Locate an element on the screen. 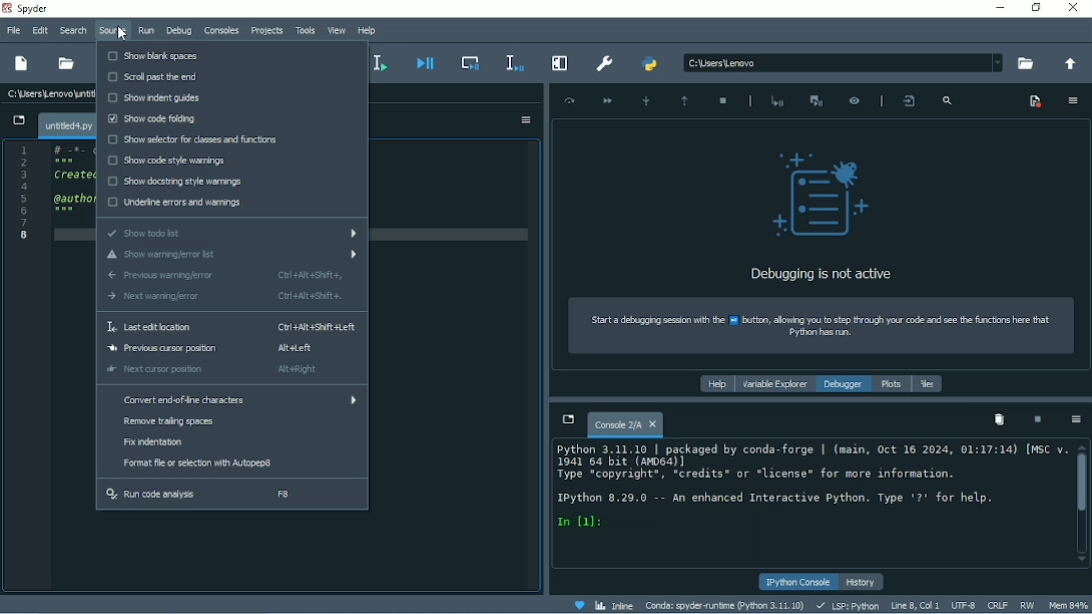  IPython console is located at coordinates (797, 582).